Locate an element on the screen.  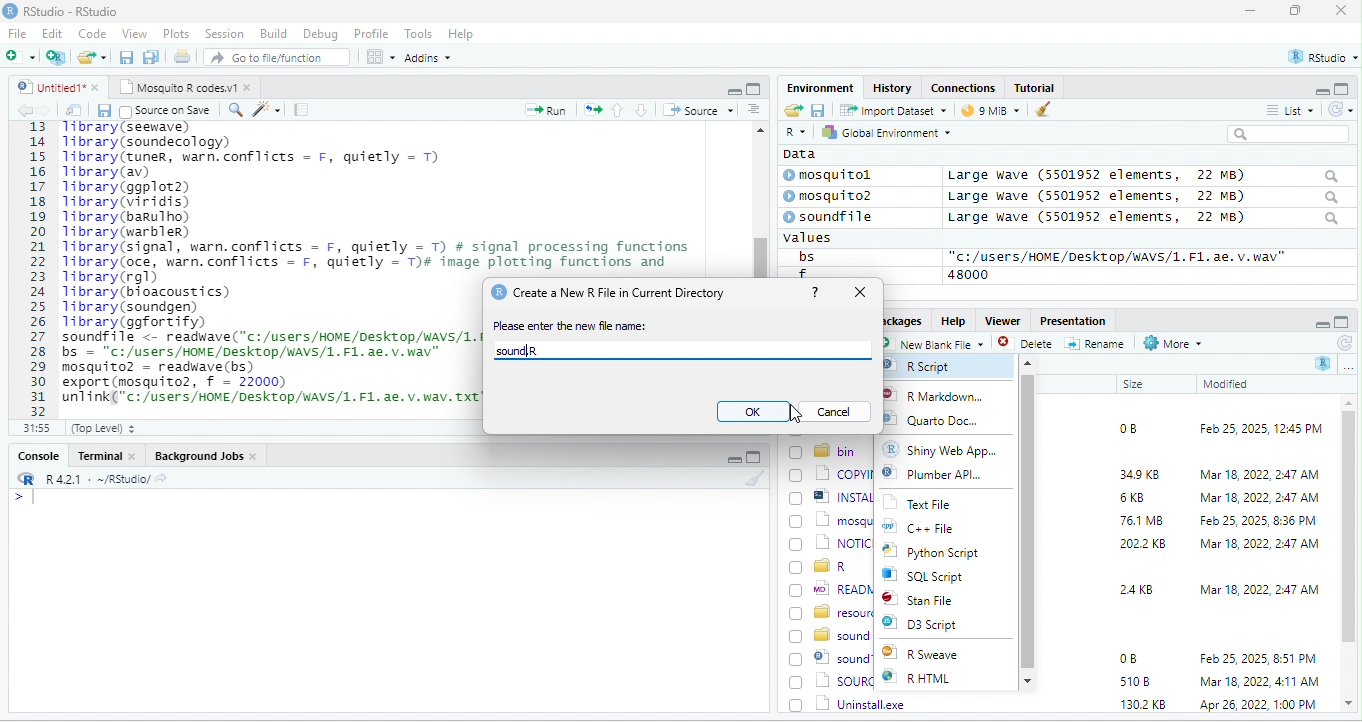
BD resources is located at coordinates (830, 610).